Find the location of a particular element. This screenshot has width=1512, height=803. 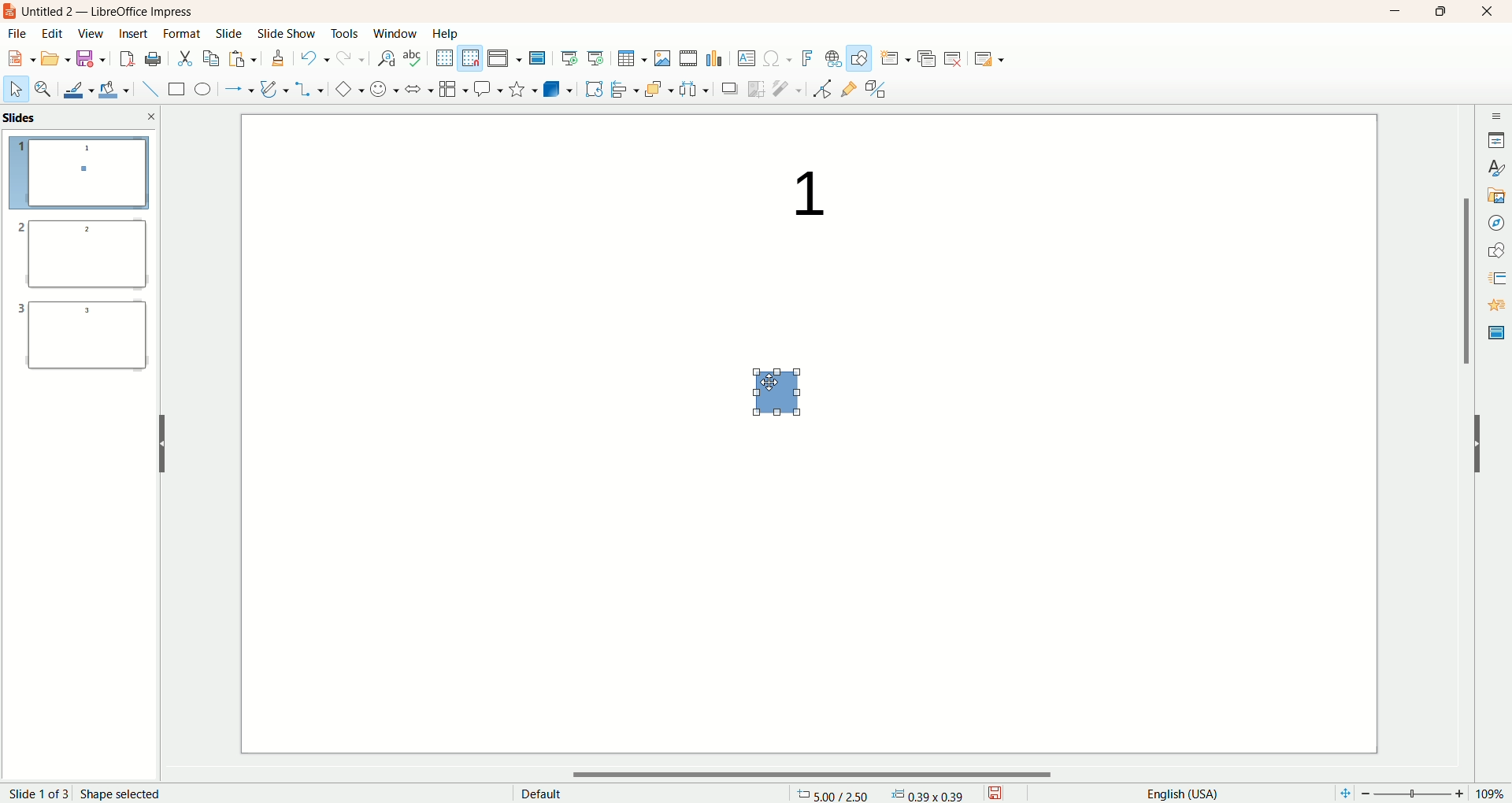

minimize is located at coordinates (1395, 12).